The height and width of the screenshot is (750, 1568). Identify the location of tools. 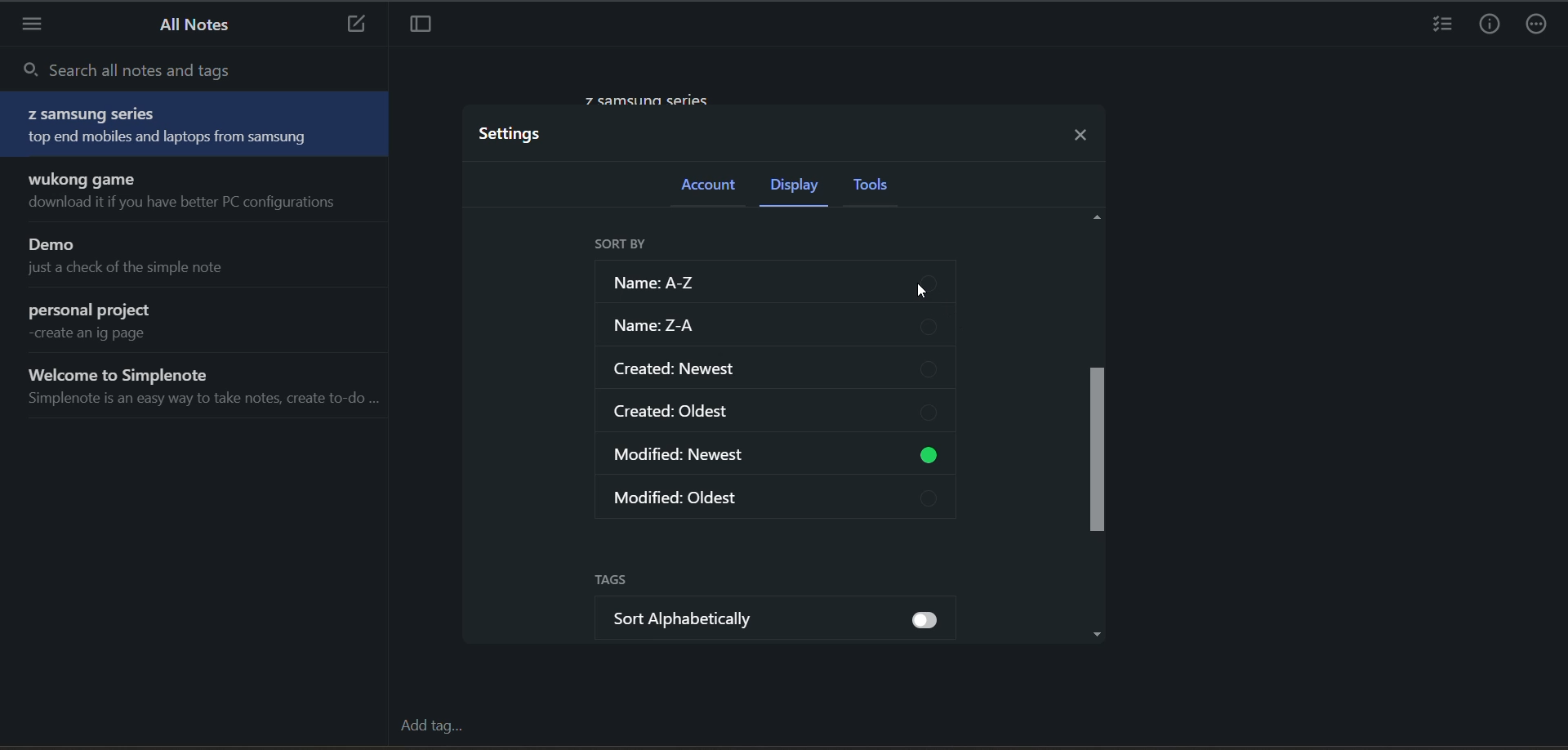
(883, 186).